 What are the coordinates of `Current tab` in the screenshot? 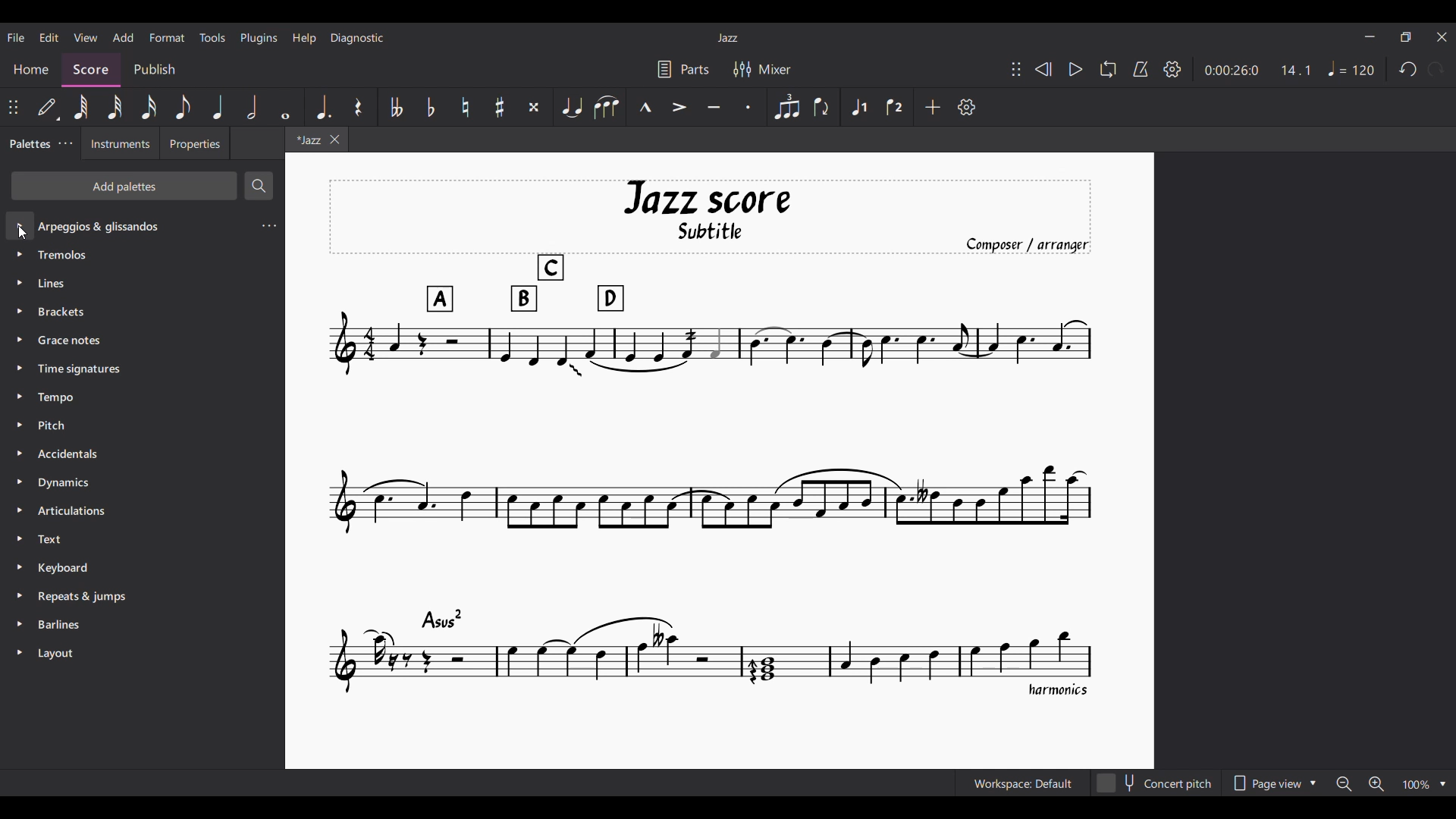 It's located at (306, 139).